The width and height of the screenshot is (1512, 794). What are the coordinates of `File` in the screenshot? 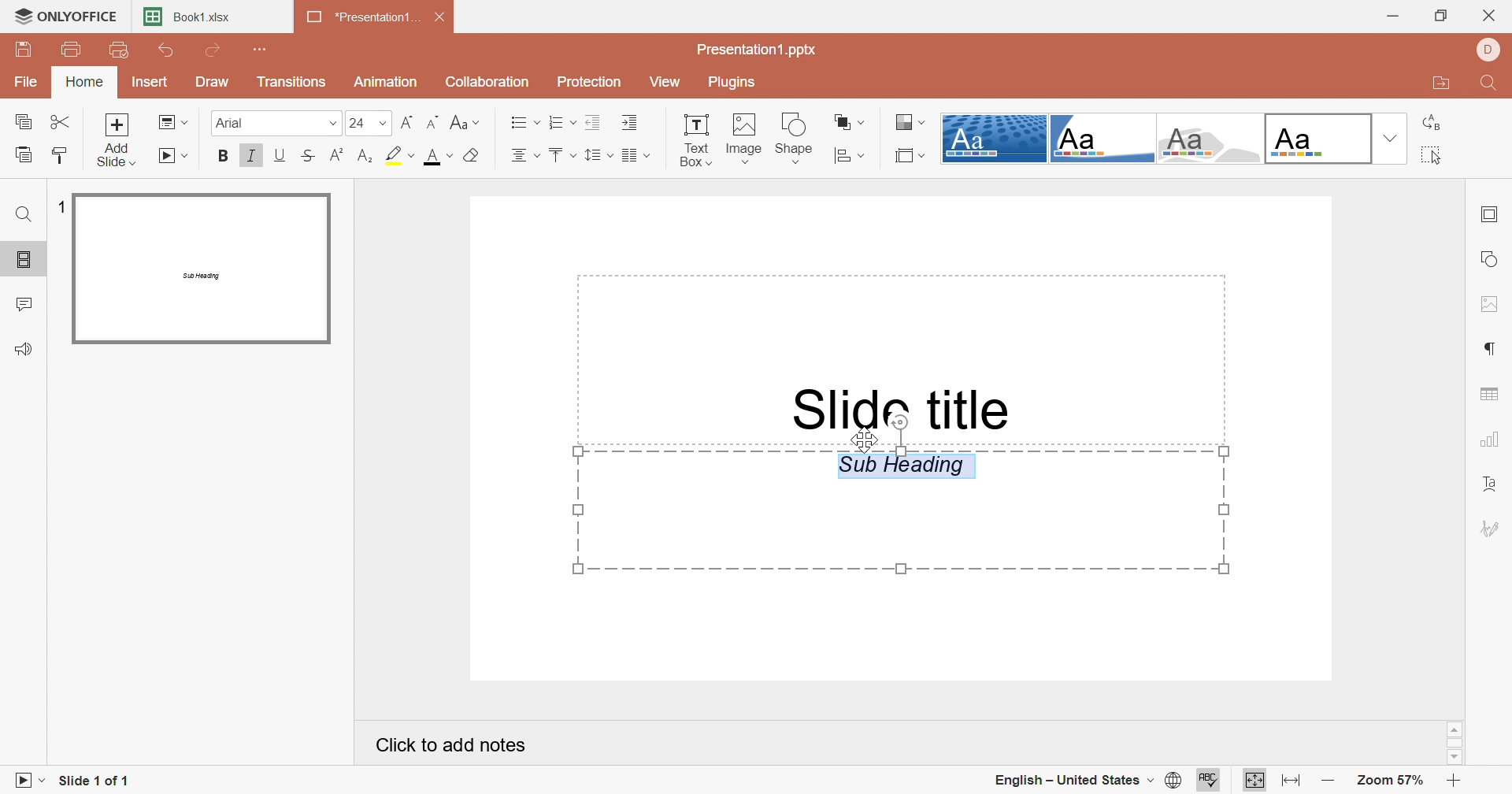 It's located at (26, 81).